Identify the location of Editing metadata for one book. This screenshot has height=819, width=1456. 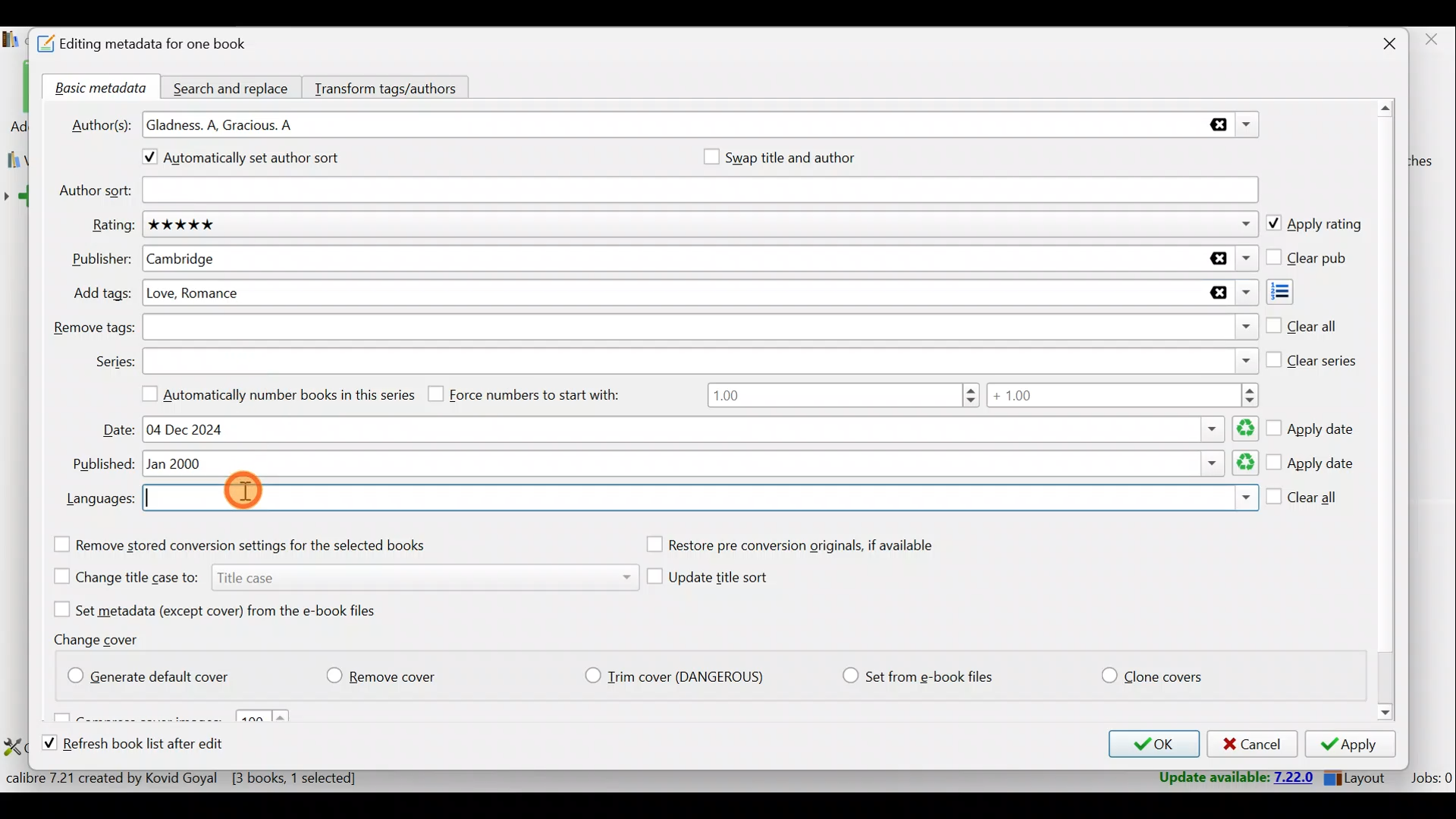
(161, 45).